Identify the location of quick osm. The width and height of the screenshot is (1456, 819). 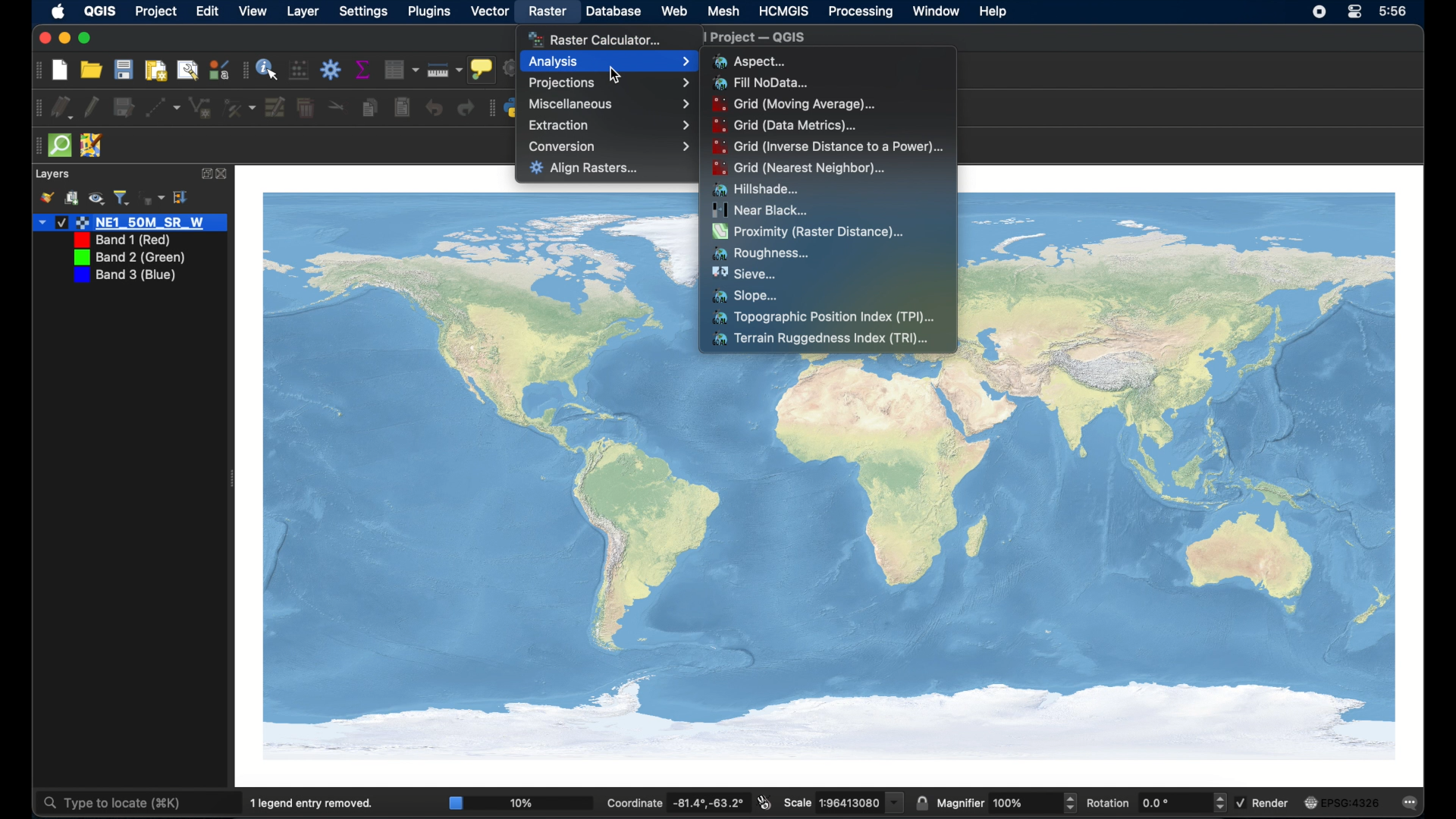
(59, 146).